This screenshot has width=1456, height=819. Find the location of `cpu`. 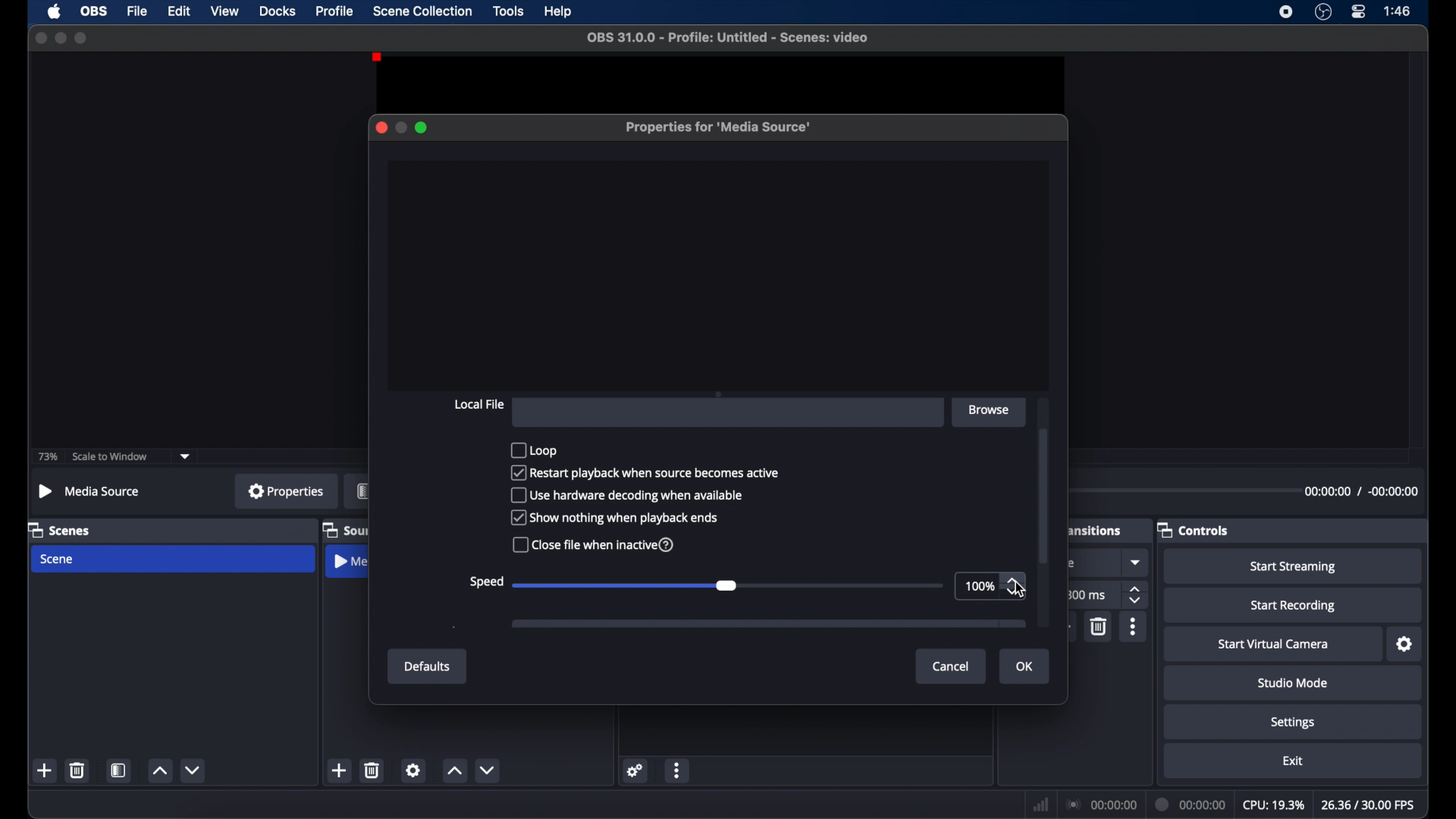

cpu is located at coordinates (1274, 805).